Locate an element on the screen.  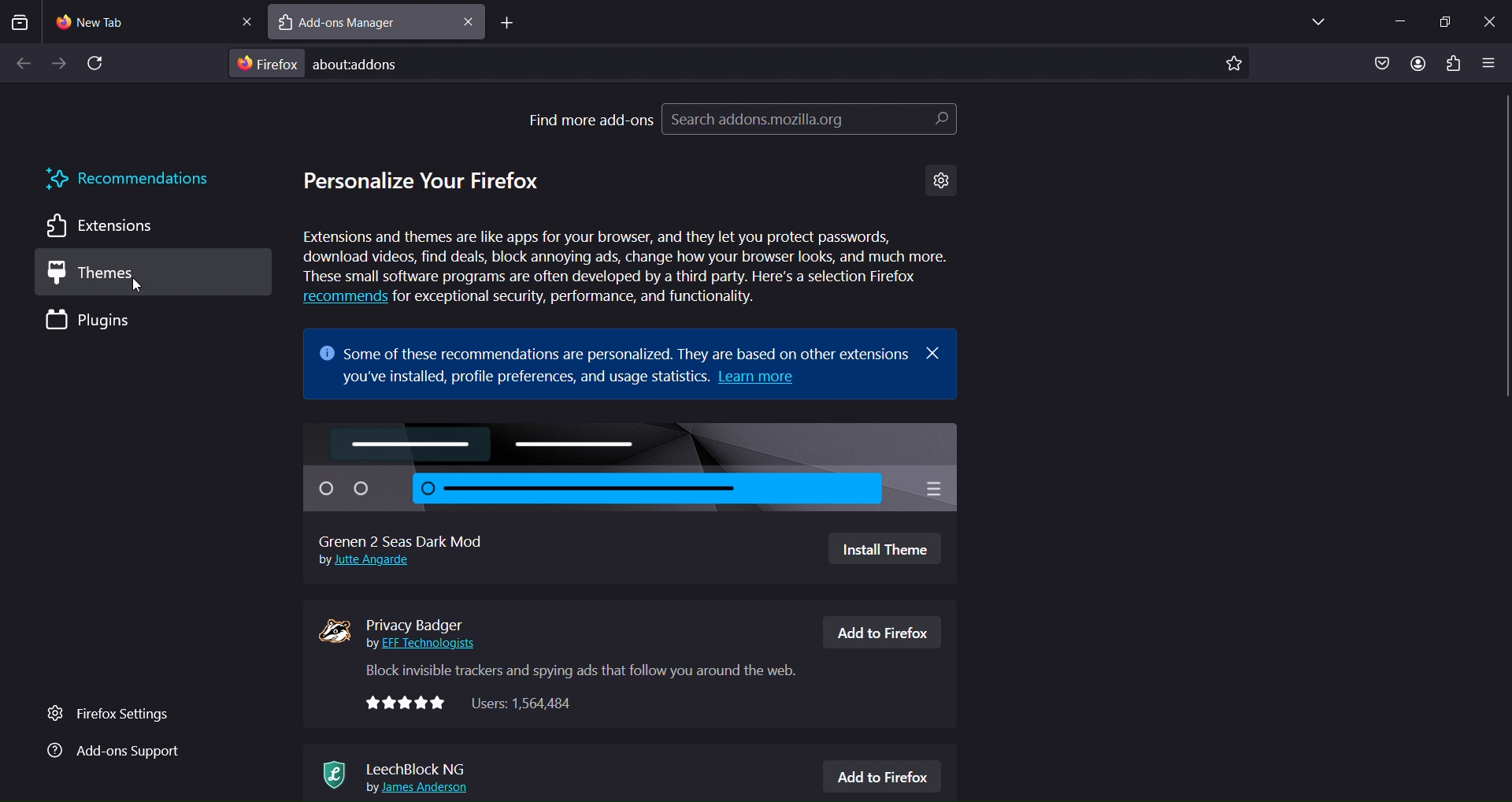
restore windowss is located at coordinates (1444, 20).